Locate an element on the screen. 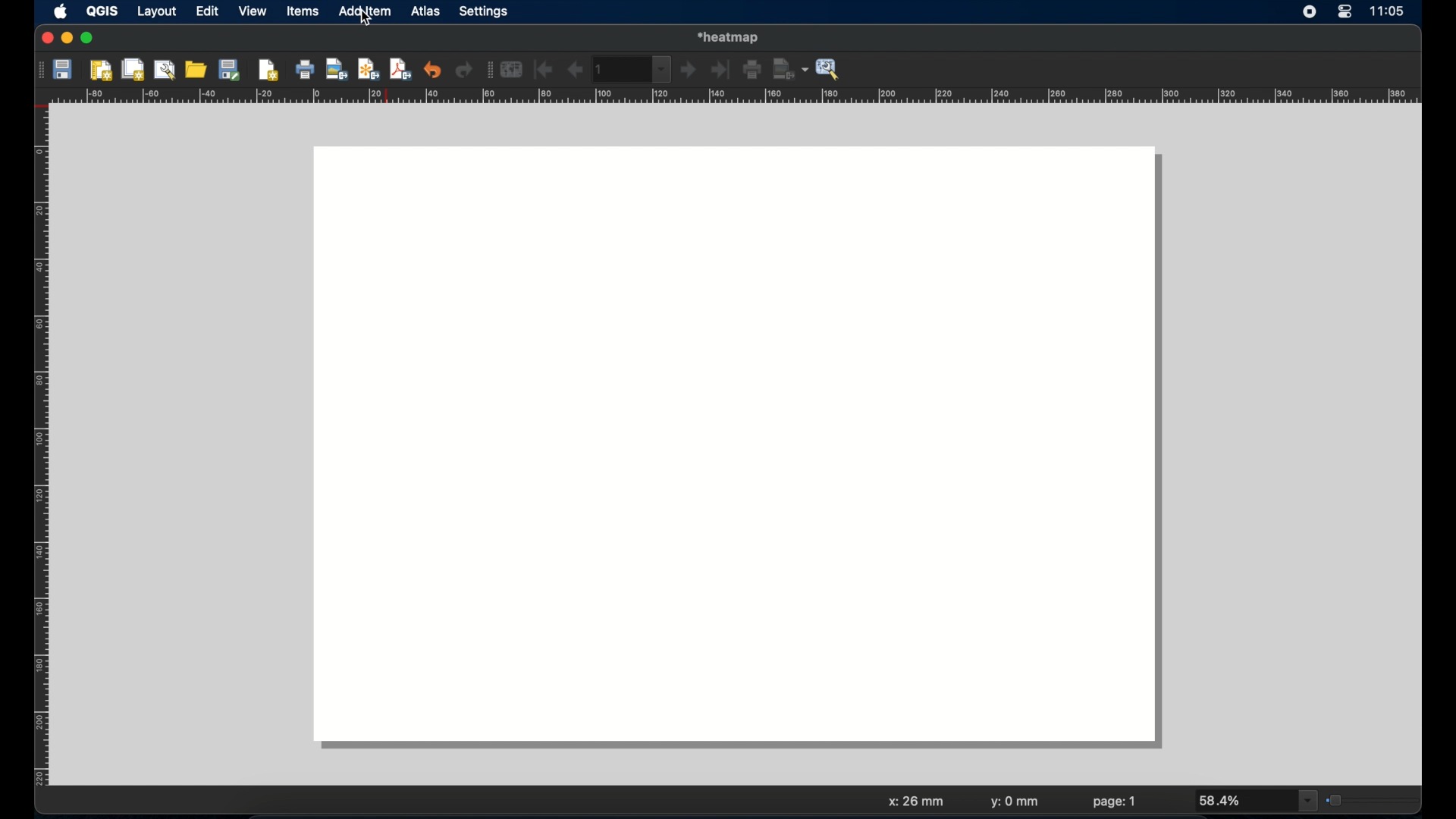 The height and width of the screenshot is (819, 1456). x: 26mm is located at coordinates (914, 802).